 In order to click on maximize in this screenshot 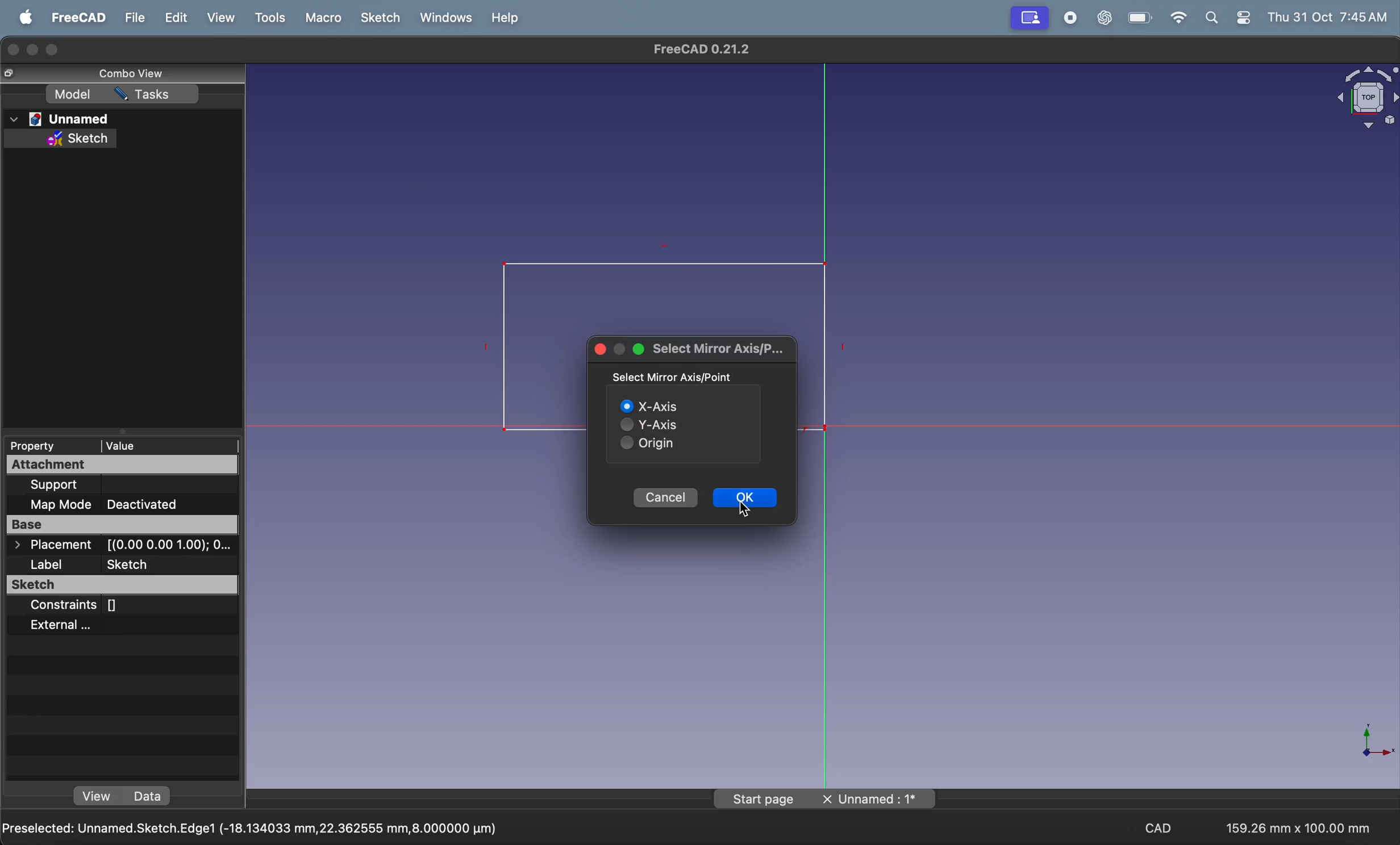, I will do `click(55, 52)`.